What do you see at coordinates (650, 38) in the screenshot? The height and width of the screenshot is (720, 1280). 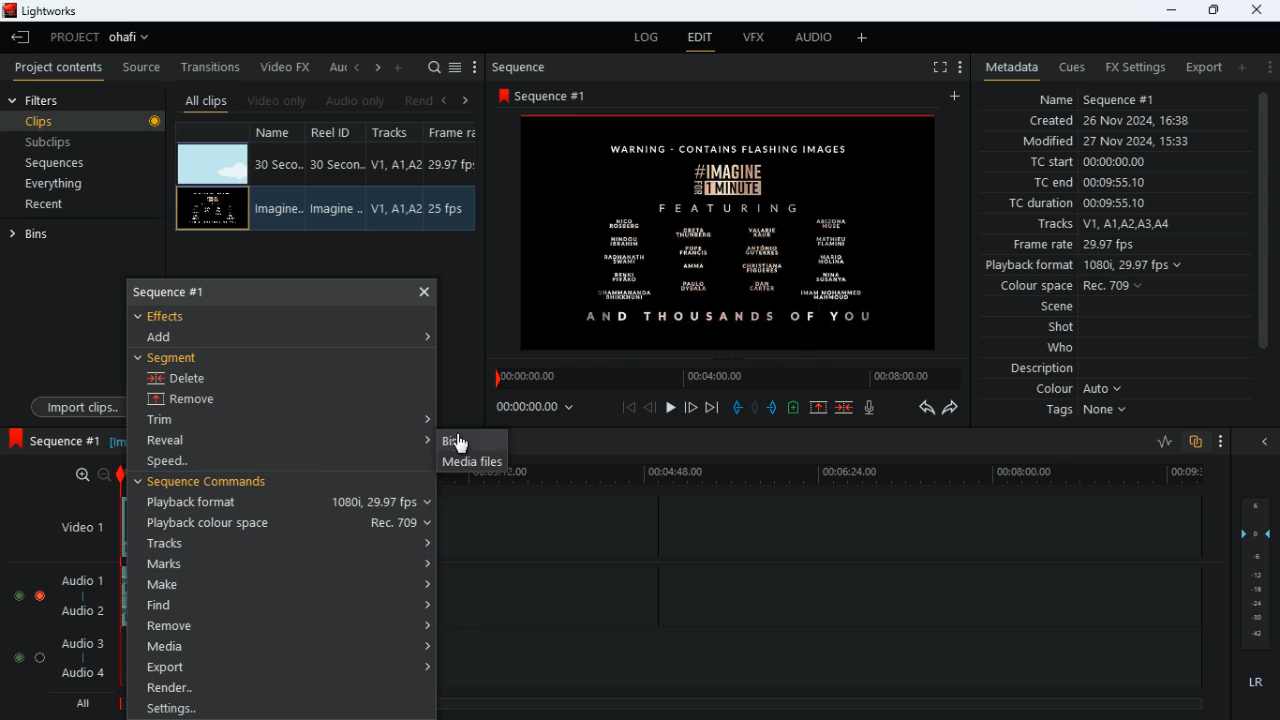 I see `log` at bounding box center [650, 38].